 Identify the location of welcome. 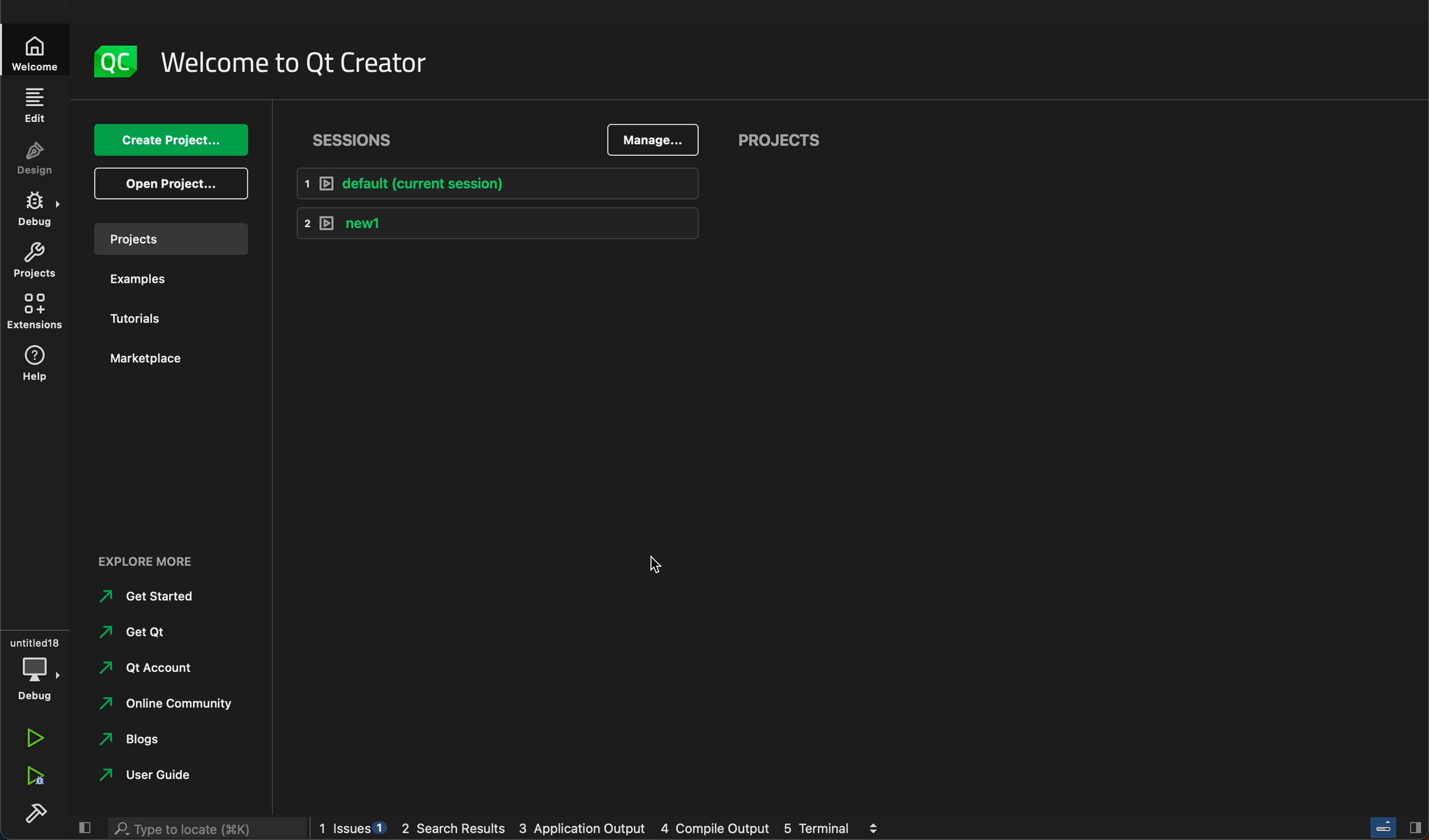
(37, 50).